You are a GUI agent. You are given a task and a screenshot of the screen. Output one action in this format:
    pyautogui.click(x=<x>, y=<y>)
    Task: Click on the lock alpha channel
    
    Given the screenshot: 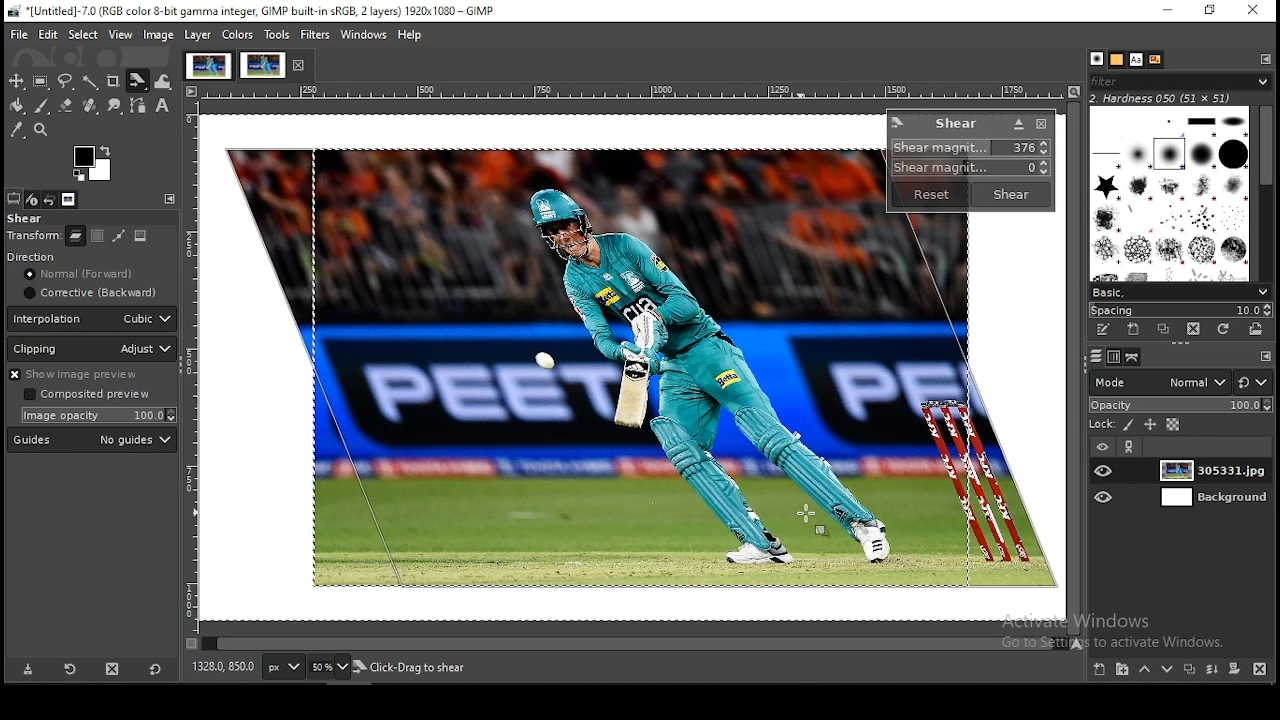 What is the action you would take?
    pyautogui.click(x=1174, y=426)
    